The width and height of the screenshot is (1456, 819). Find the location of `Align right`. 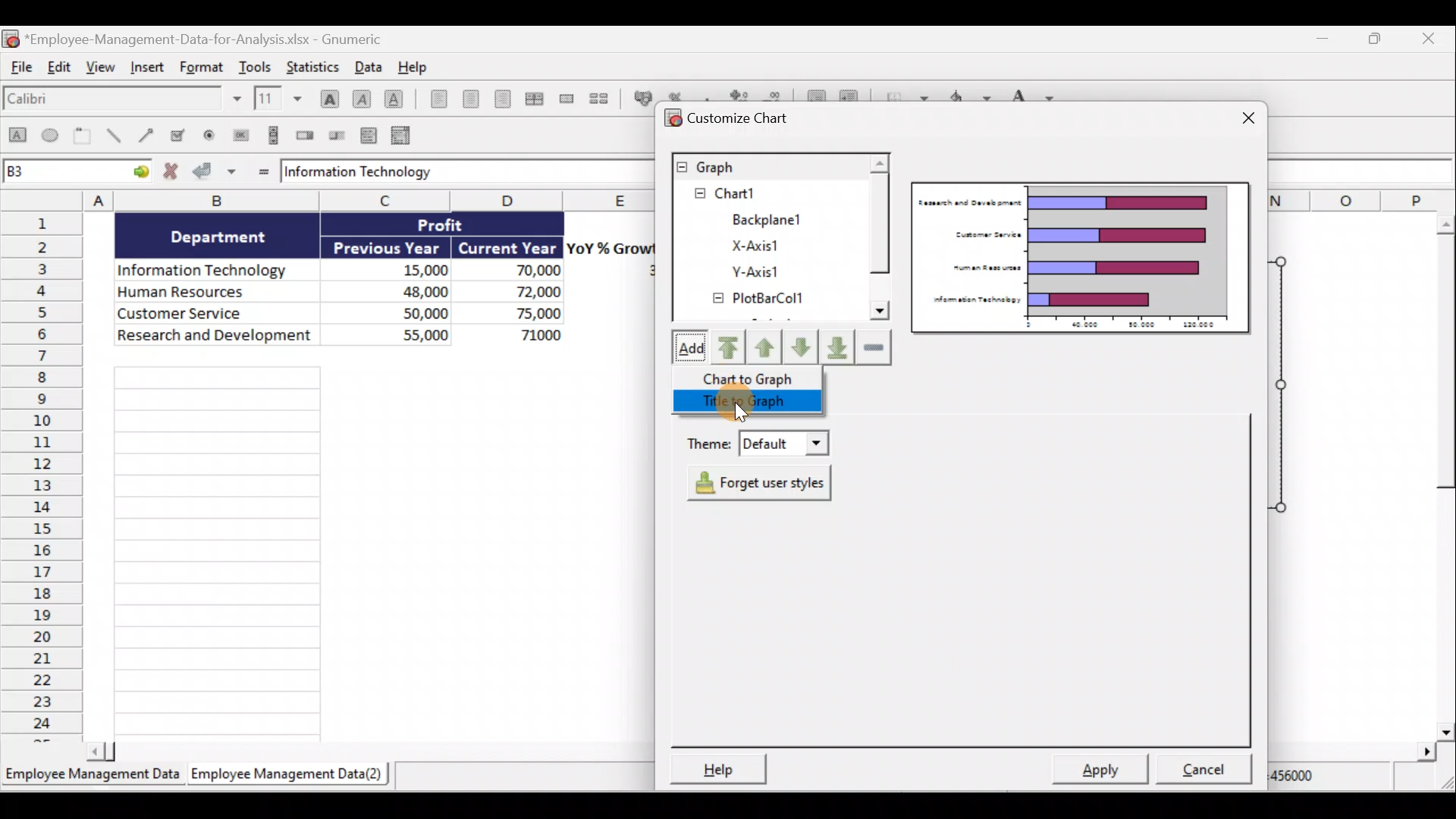

Align right is located at coordinates (502, 99).